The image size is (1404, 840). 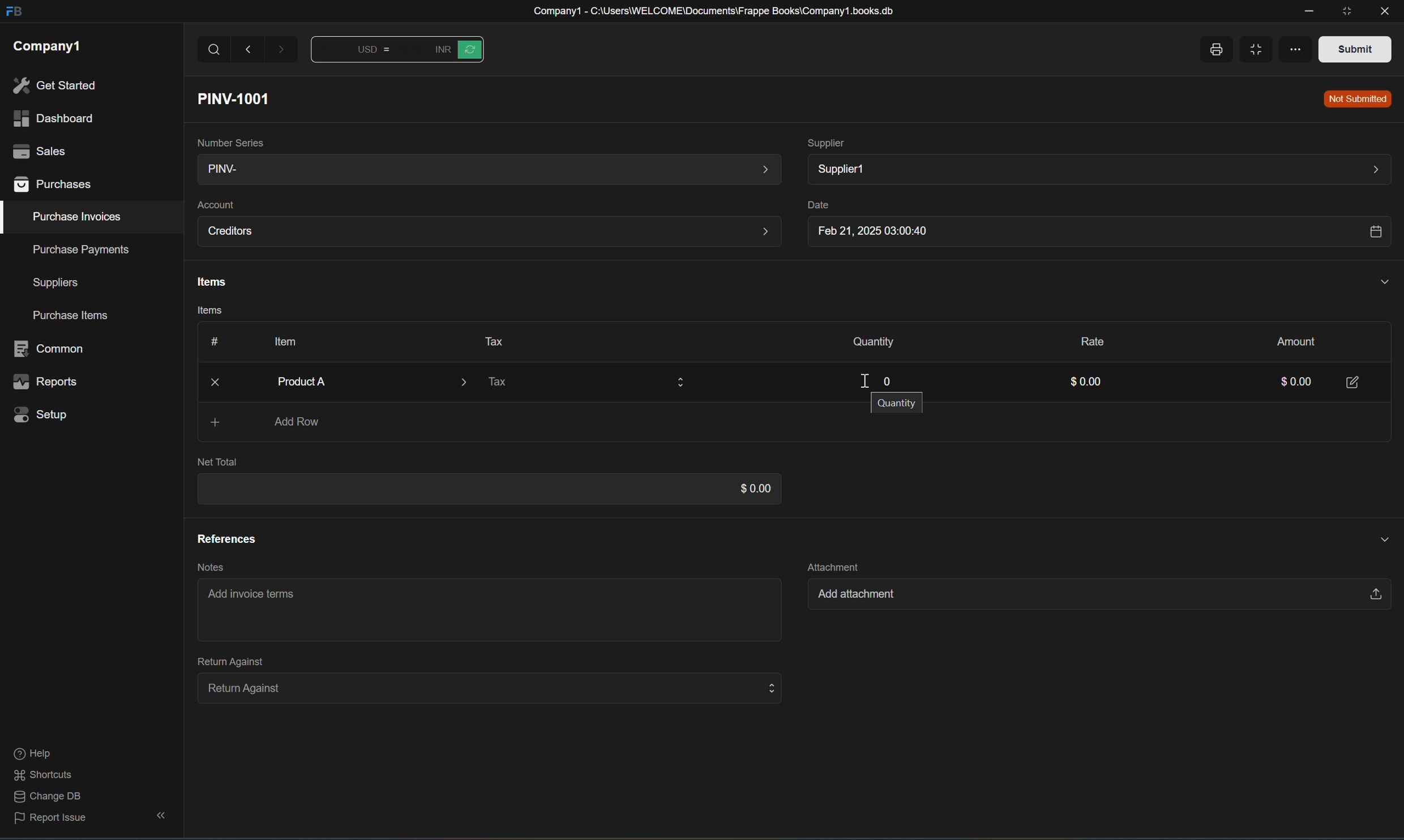 I want to click on Feb 21, 2025 03:00:40, so click(x=1095, y=233).